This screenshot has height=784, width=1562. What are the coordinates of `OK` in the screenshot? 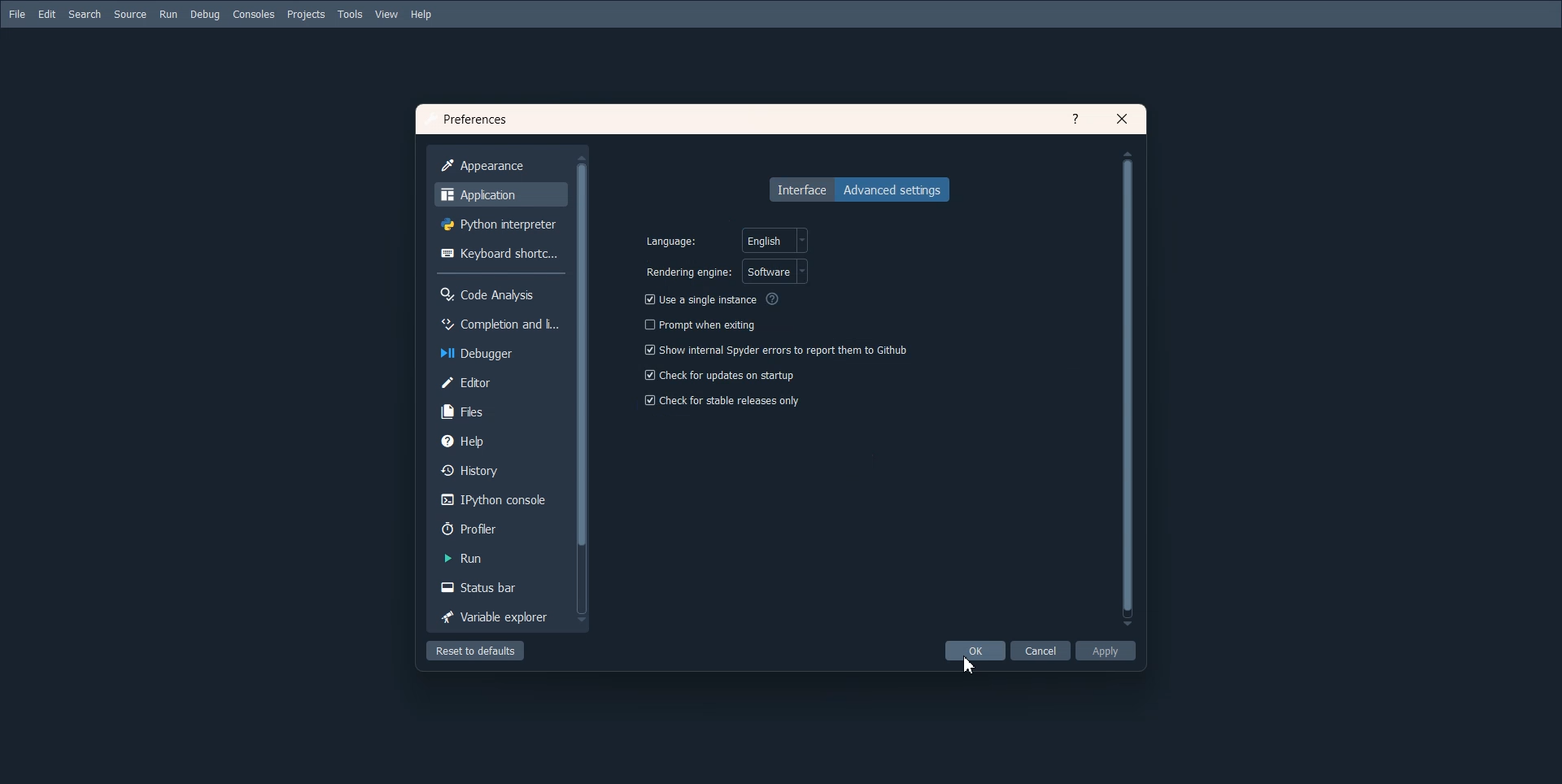 It's located at (975, 650).